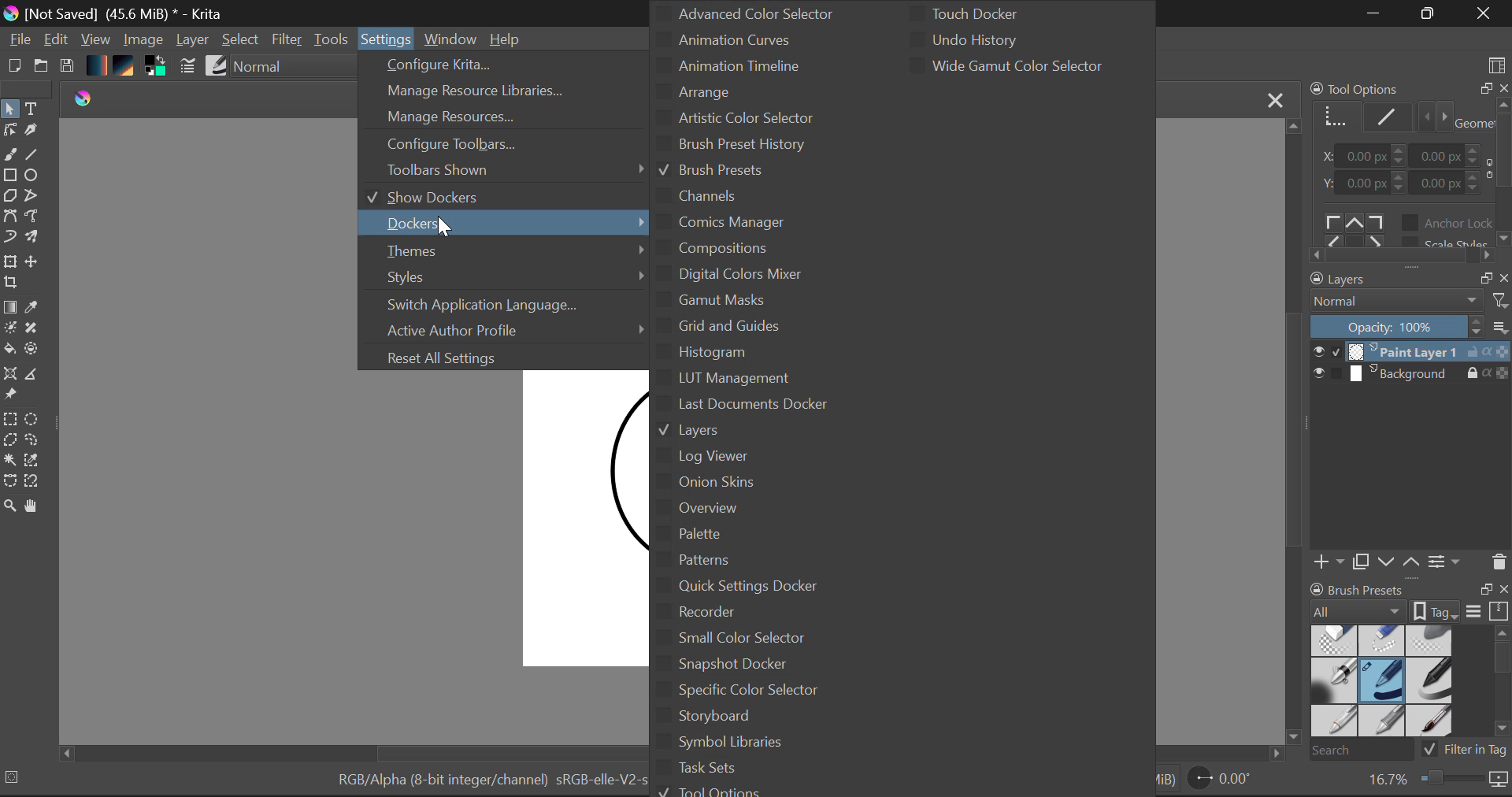 The width and height of the screenshot is (1512, 797). What do you see at coordinates (504, 170) in the screenshot?
I see `Toolbars Shown` at bounding box center [504, 170].